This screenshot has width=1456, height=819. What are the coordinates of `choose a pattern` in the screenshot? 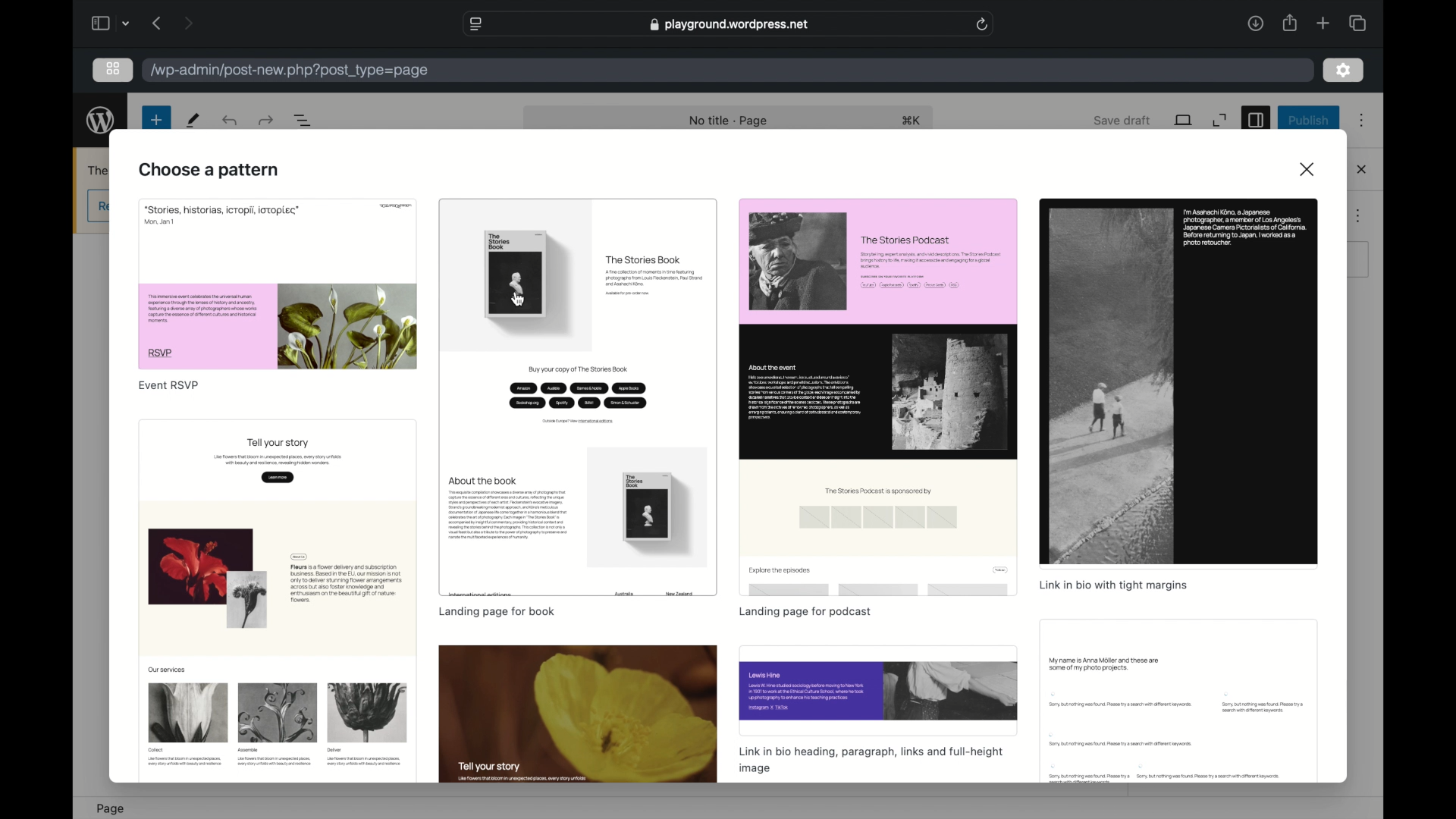 It's located at (209, 170).